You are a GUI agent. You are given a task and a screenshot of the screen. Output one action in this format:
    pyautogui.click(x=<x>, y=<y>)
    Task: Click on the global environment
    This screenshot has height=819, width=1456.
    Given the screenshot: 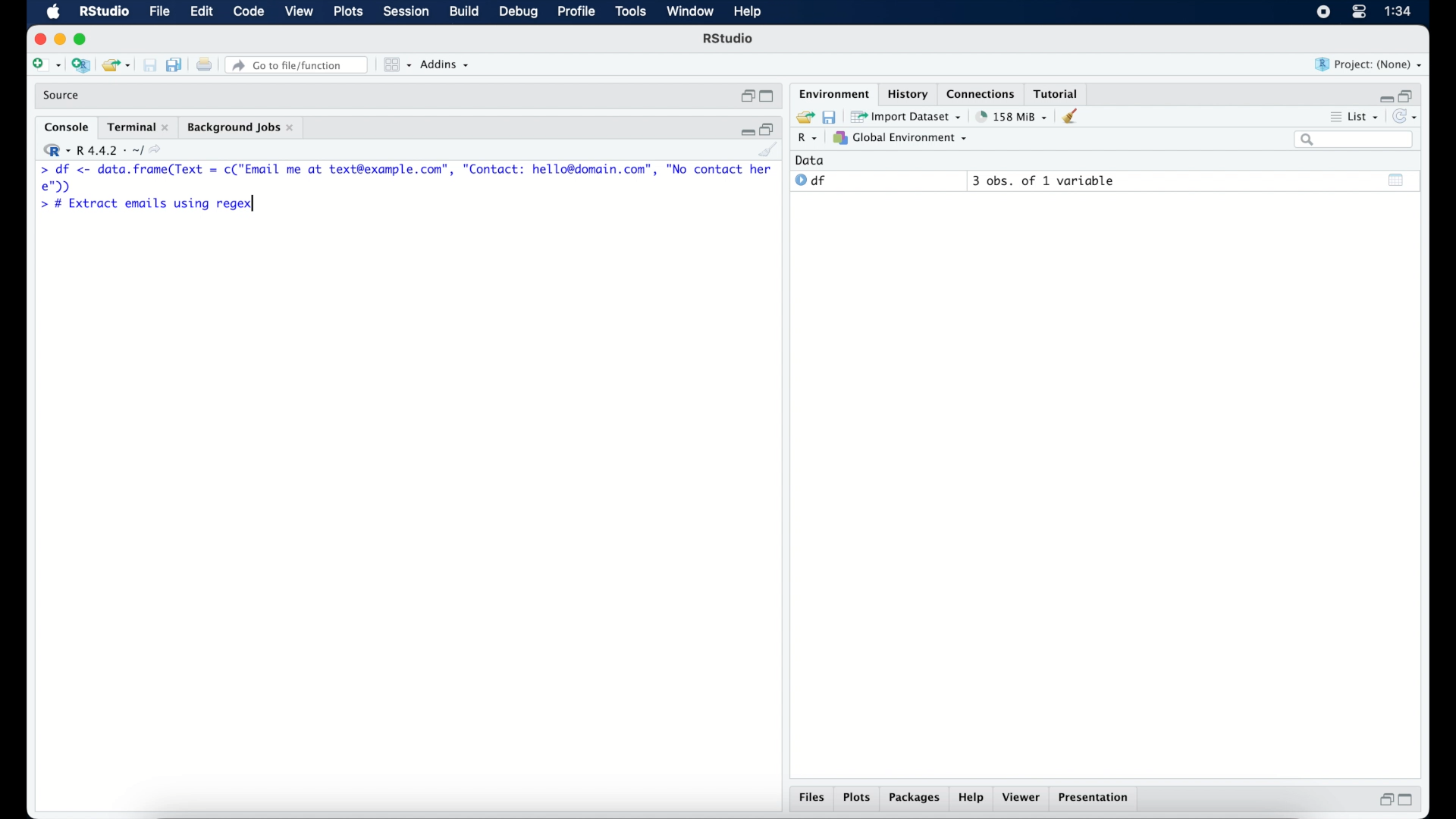 What is the action you would take?
    pyautogui.click(x=905, y=139)
    